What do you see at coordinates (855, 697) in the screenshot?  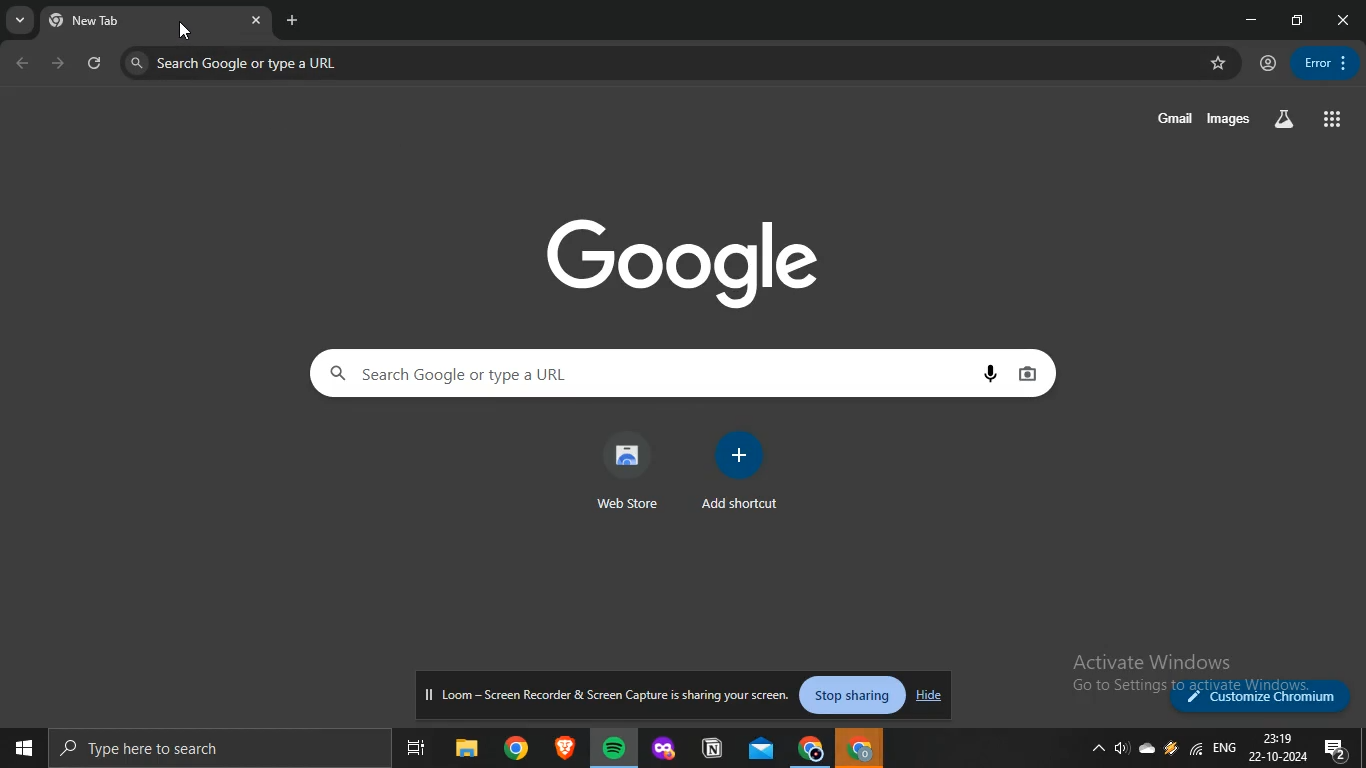 I see `Stop sharing` at bounding box center [855, 697].